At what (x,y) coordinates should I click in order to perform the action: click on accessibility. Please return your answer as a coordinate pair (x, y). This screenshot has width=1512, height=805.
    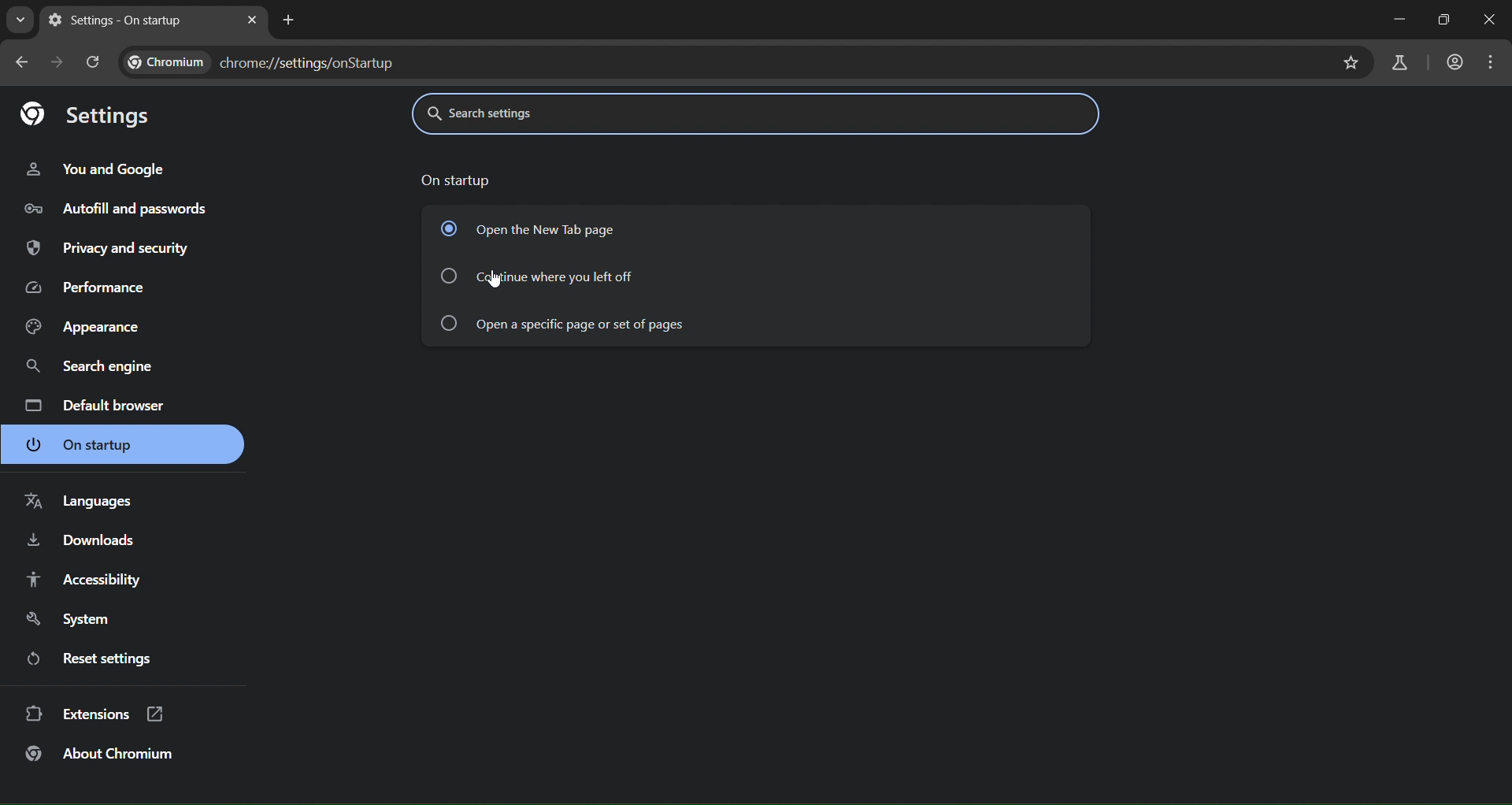
    Looking at the image, I should click on (84, 582).